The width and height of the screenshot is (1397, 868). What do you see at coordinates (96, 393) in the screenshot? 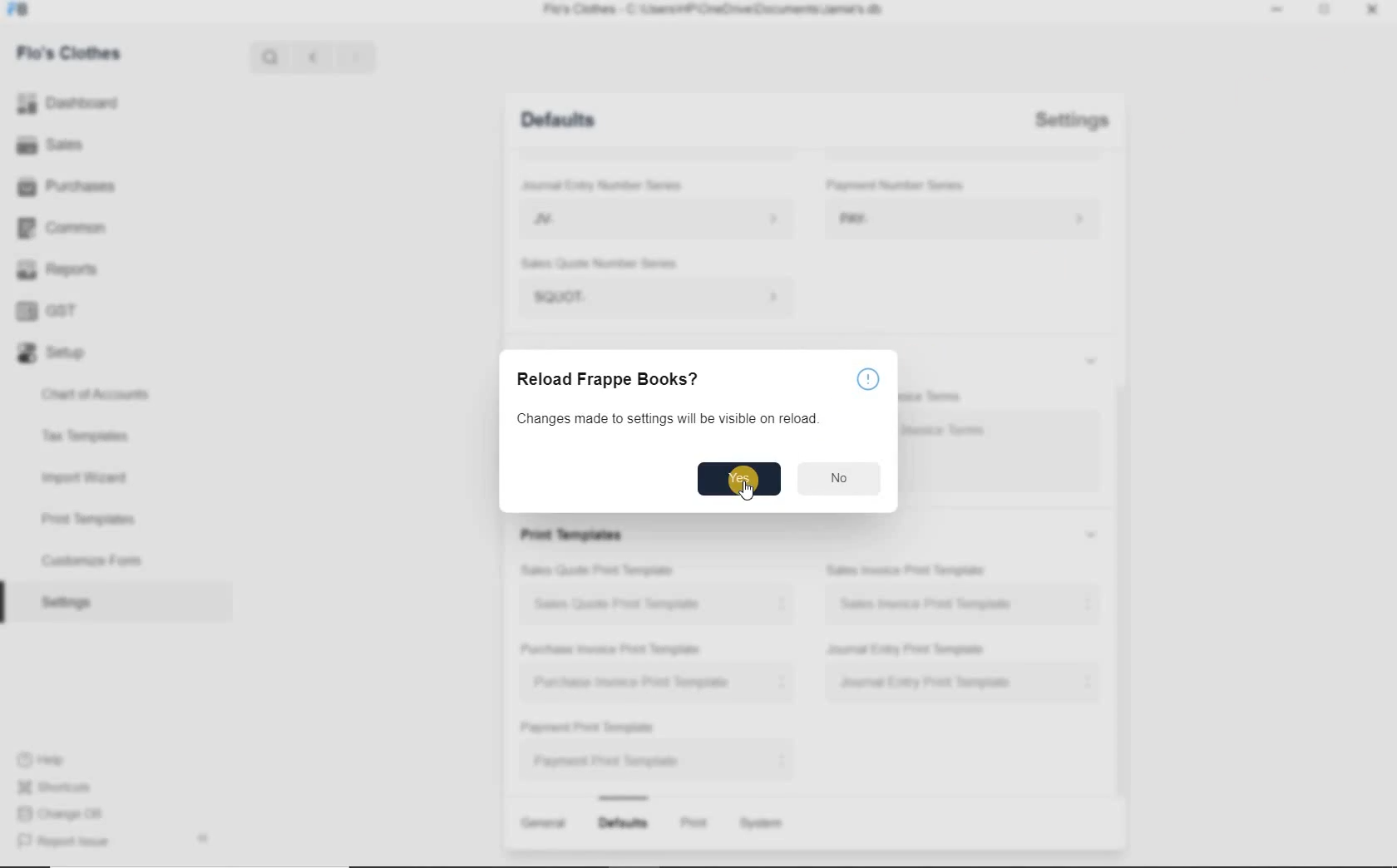
I see `Chart of Accounts` at bounding box center [96, 393].